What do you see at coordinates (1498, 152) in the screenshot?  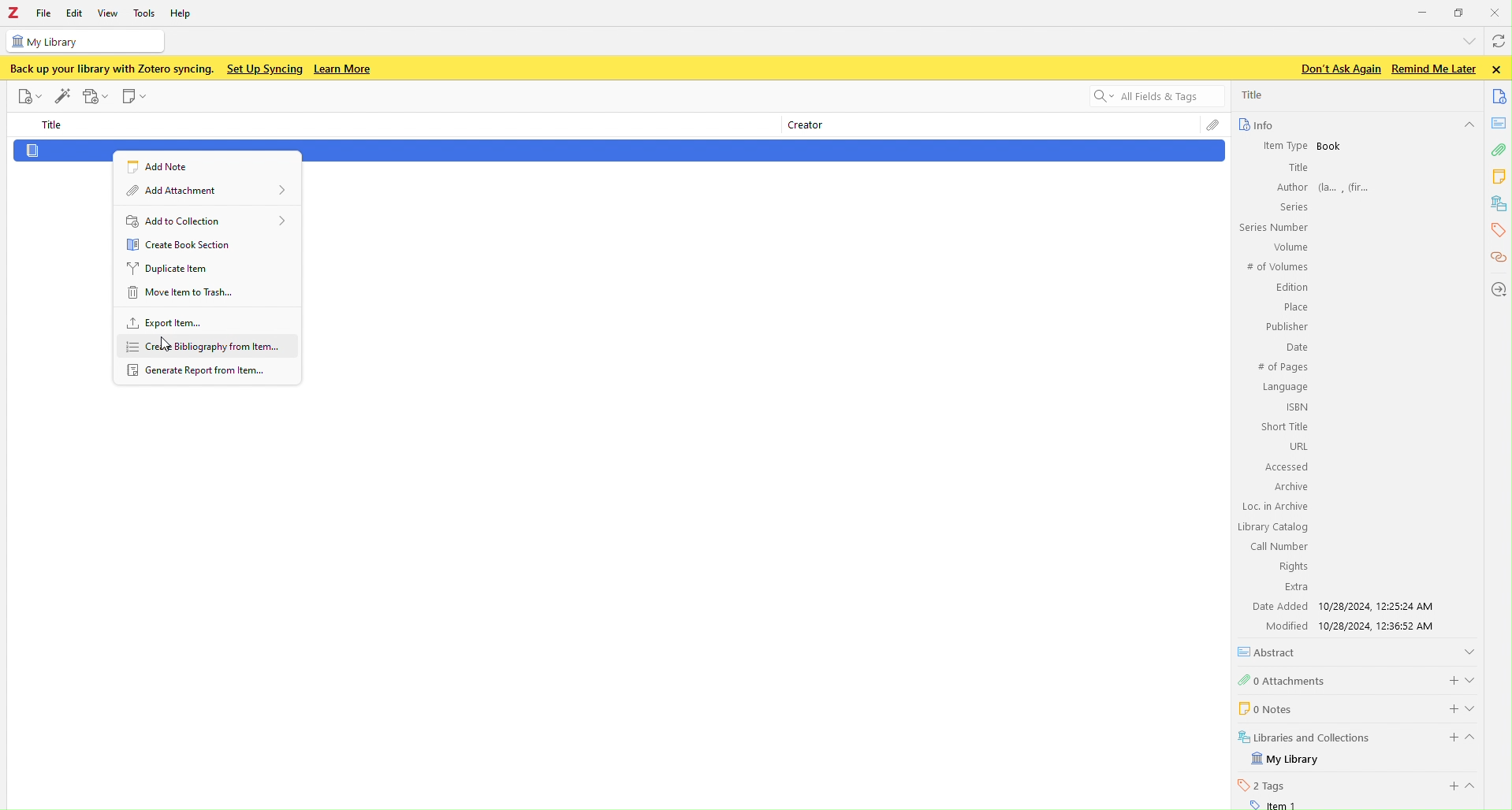 I see `attachment` at bounding box center [1498, 152].